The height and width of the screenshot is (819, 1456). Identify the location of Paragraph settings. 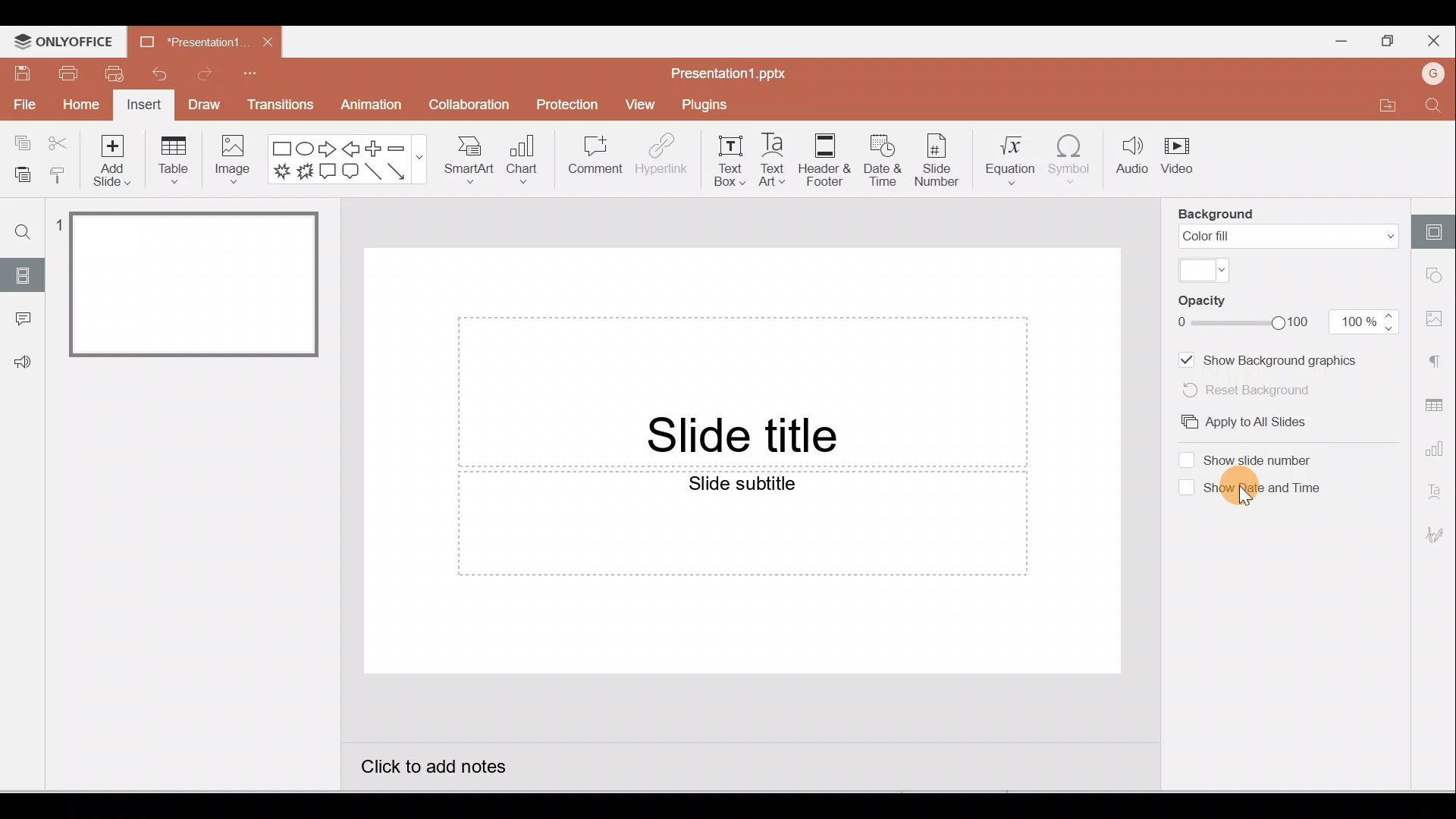
(1437, 359).